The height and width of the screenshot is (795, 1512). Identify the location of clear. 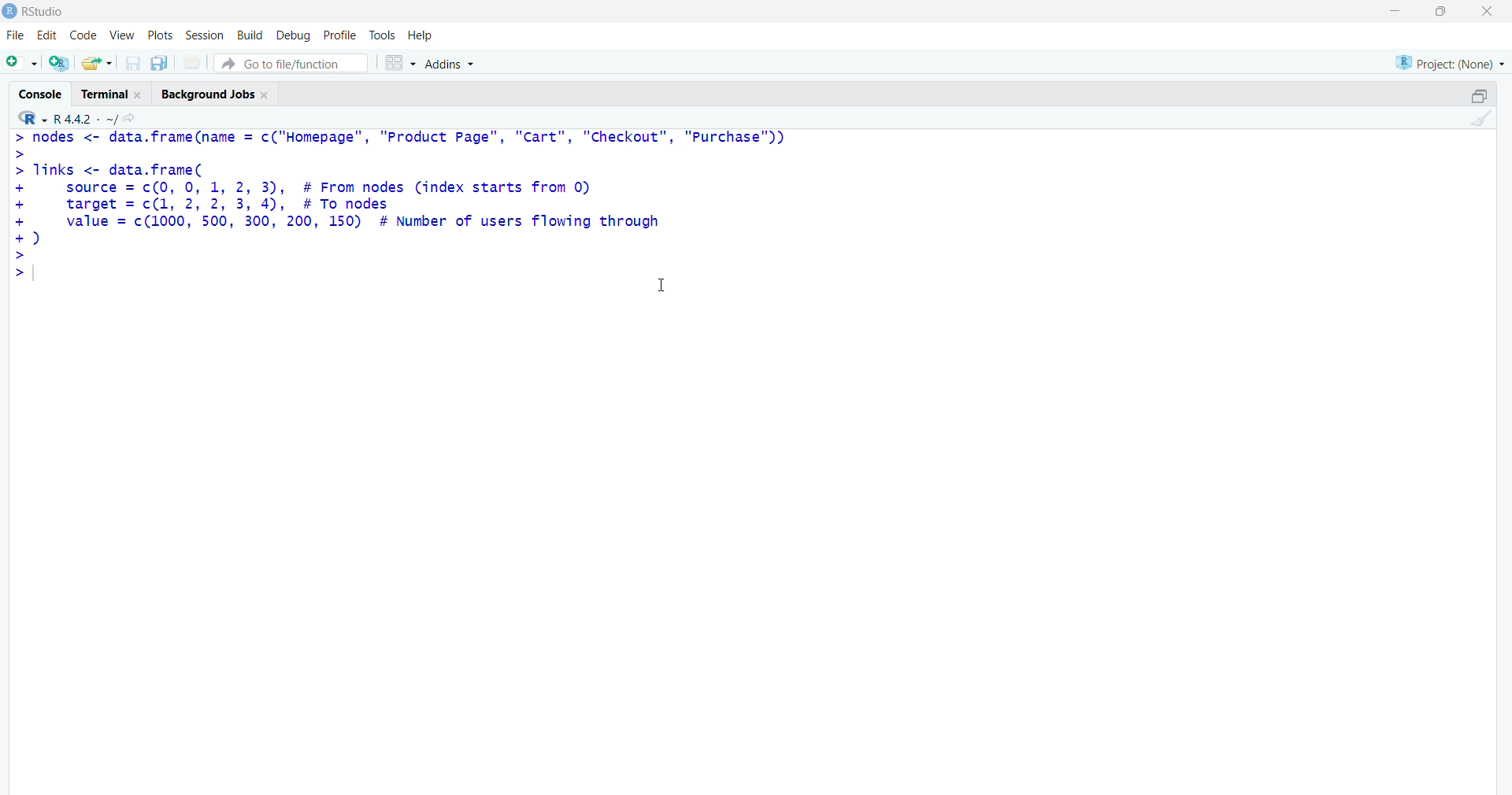
(1486, 121).